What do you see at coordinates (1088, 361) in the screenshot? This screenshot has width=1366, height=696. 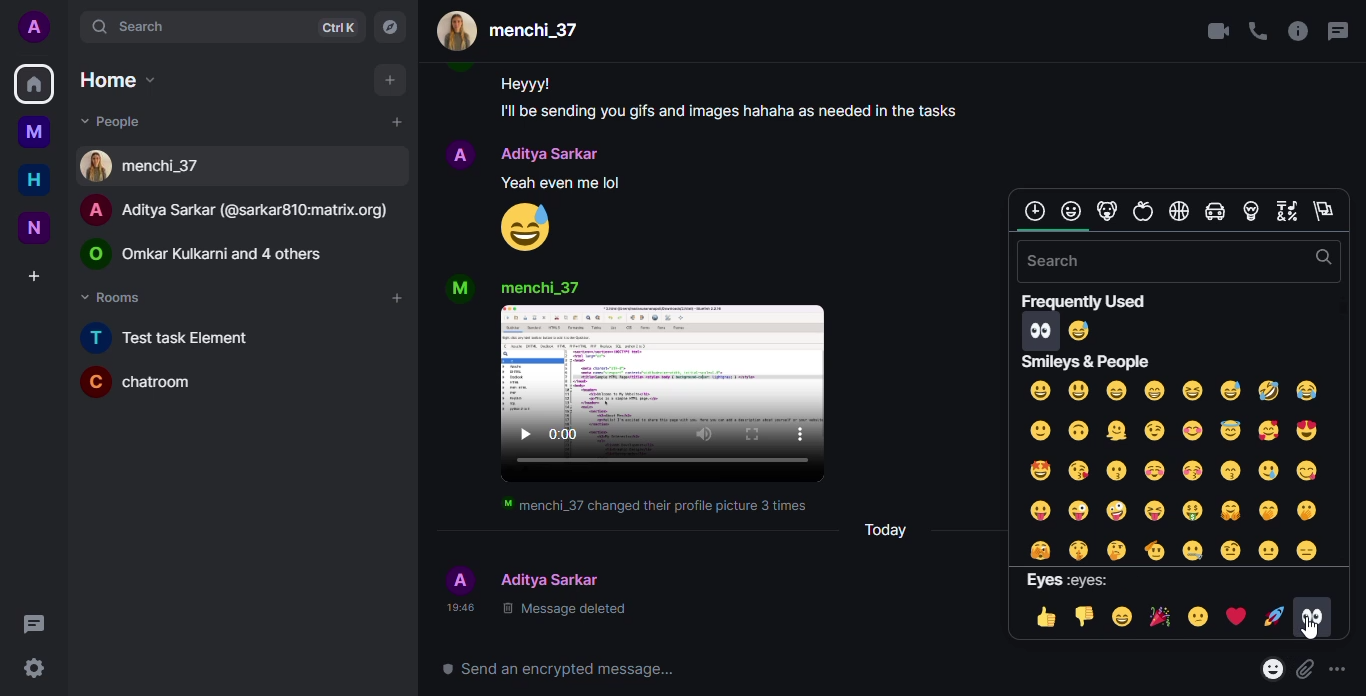 I see `smileys and people` at bounding box center [1088, 361].